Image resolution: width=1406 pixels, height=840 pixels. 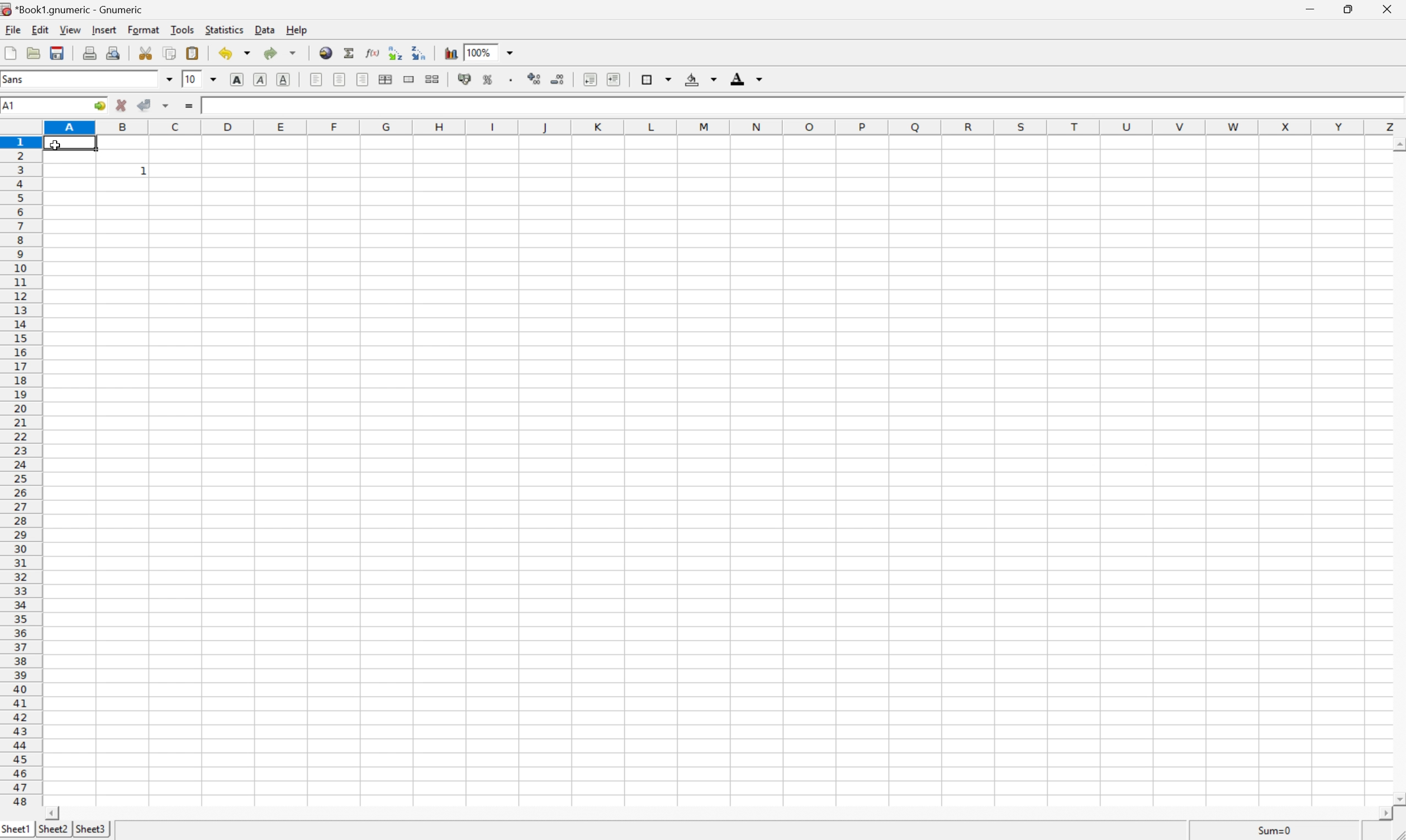 What do you see at coordinates (451, 52) in the screenshot?
I see `insert chart` at bounding box center [451, 52].